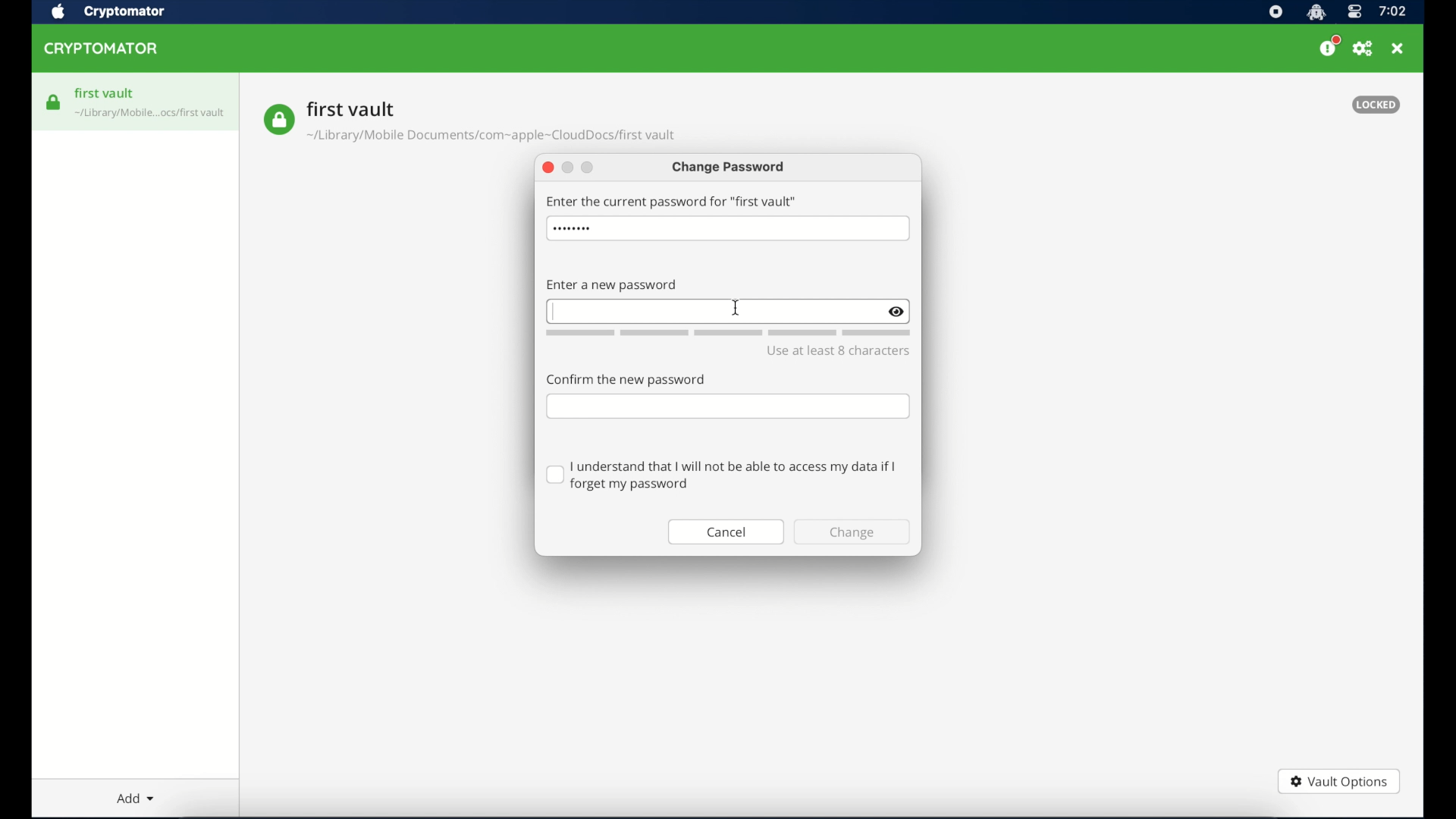 This screenshot has height=819, width=1456. I want to click on screen recorder icon, so click(1276, 13).